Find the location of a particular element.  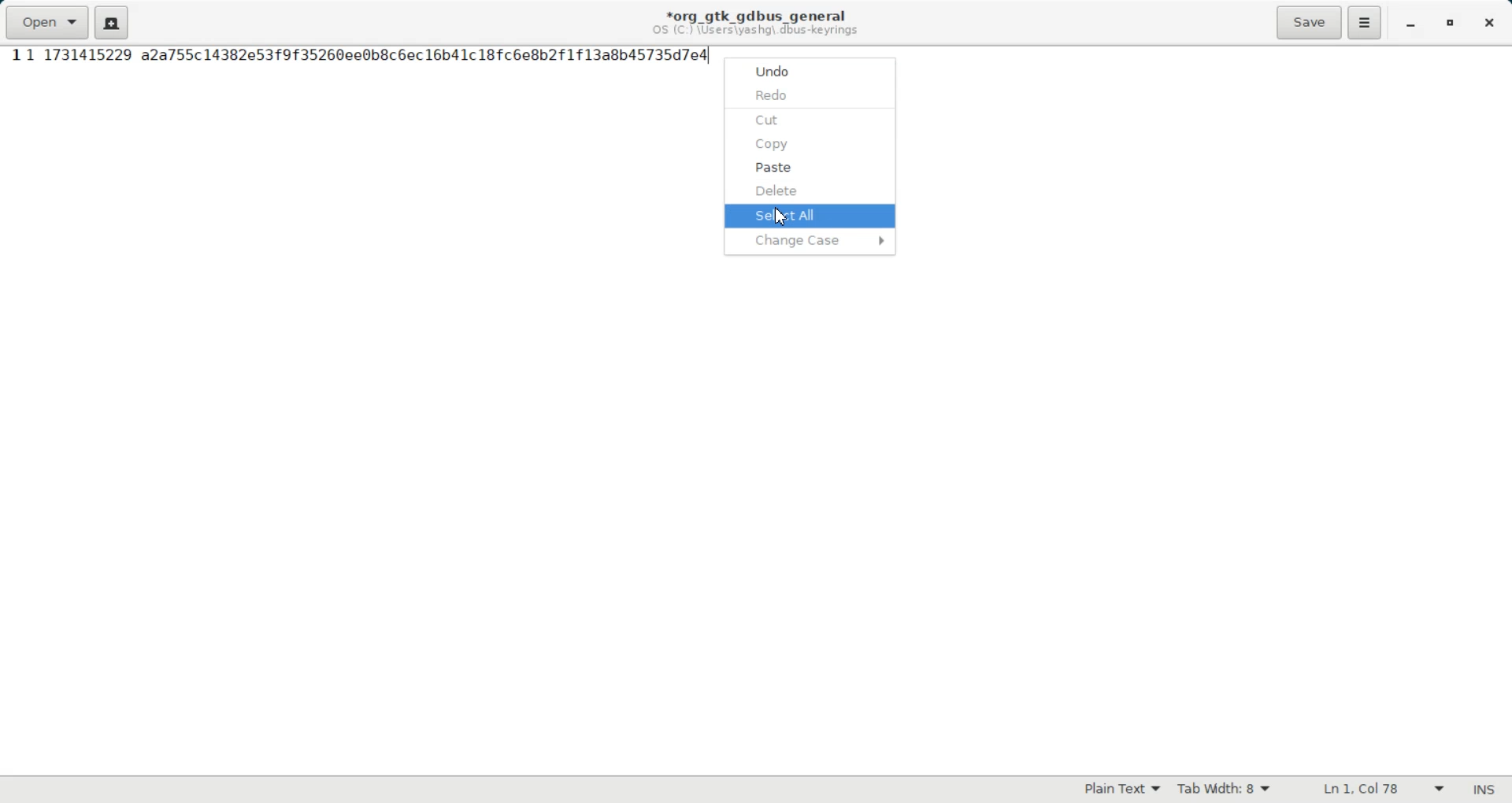

Minimize is located at coordinates (1410, 24).